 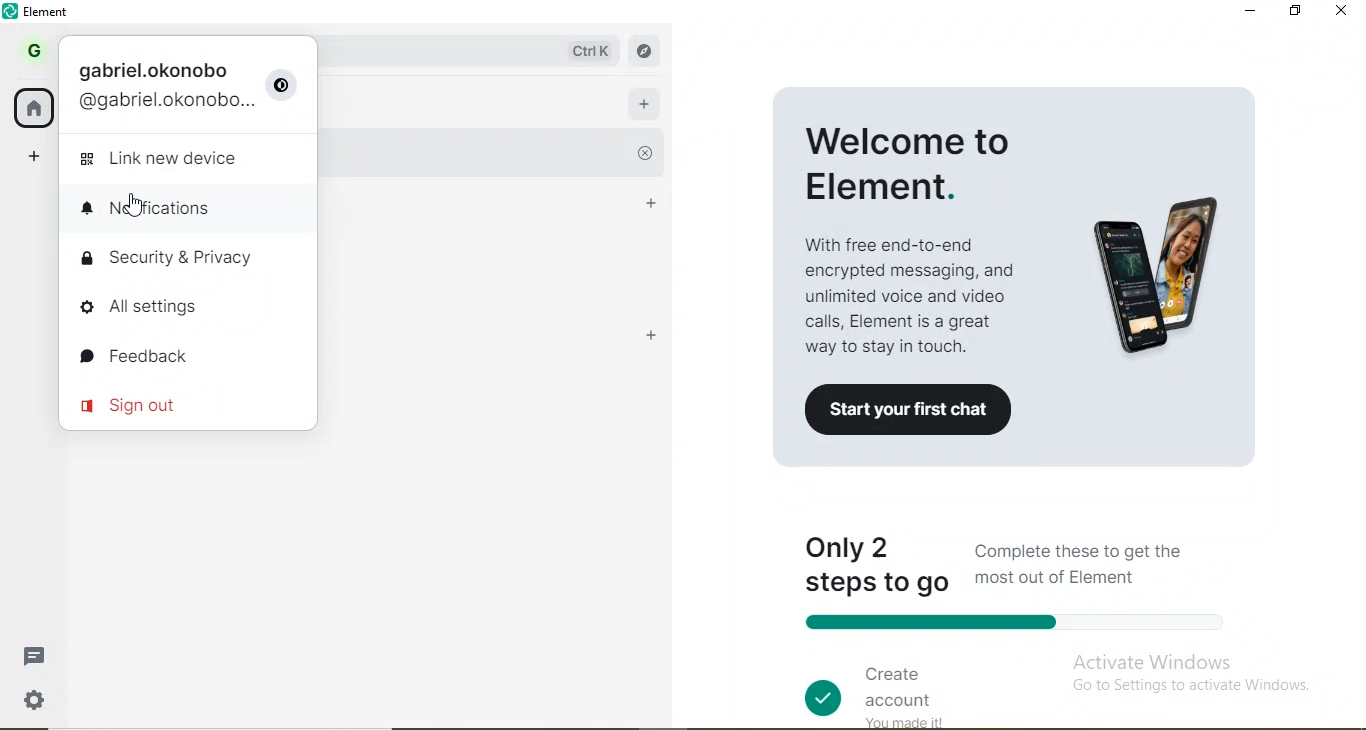 What do you see at coordinates (654, 205) in the screenshot?
I see `people` at bounding box center [654, 205].